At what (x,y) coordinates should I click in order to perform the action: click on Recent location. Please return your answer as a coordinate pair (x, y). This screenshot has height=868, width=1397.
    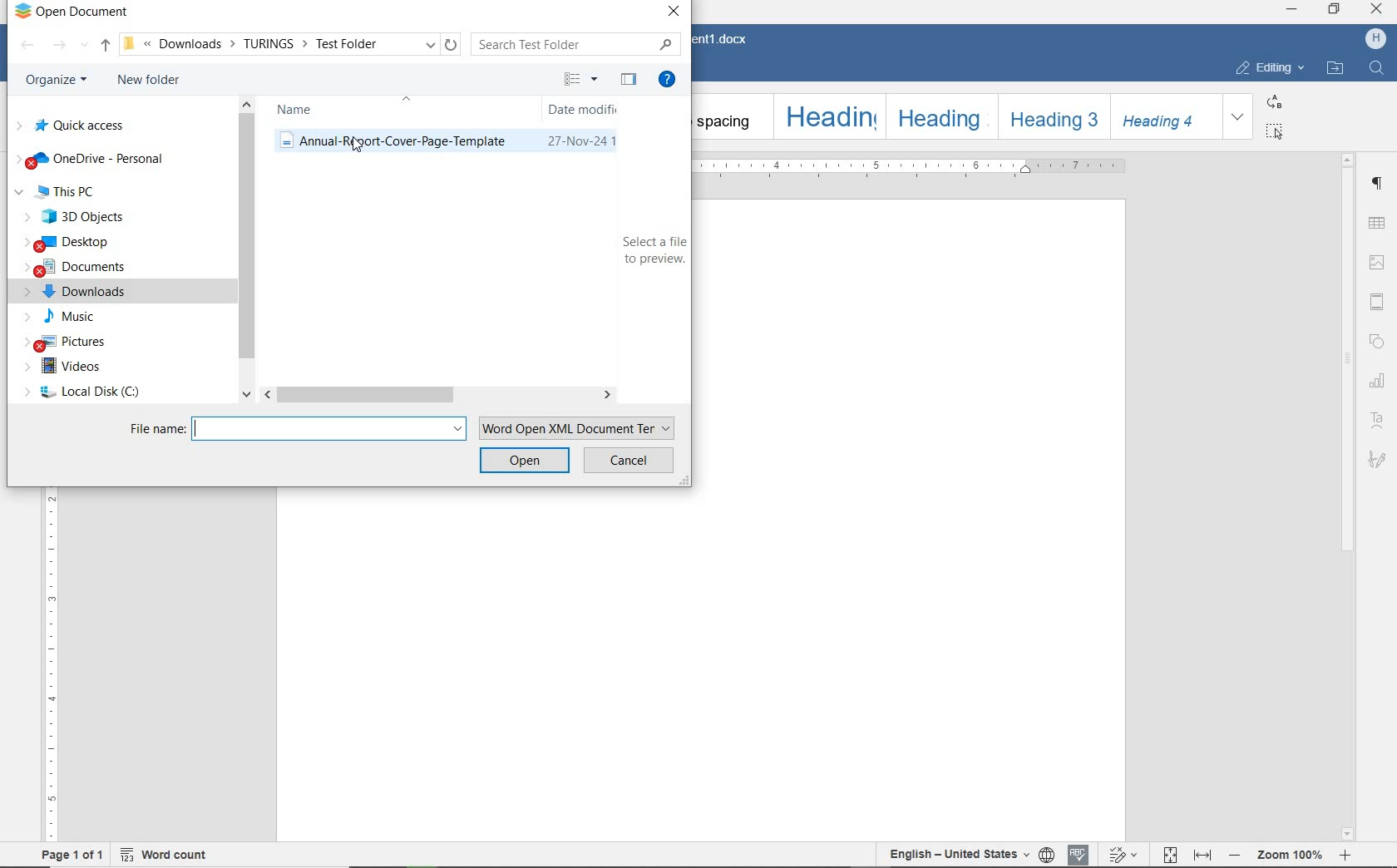
    Looking at the image, I should click on (85, 46).